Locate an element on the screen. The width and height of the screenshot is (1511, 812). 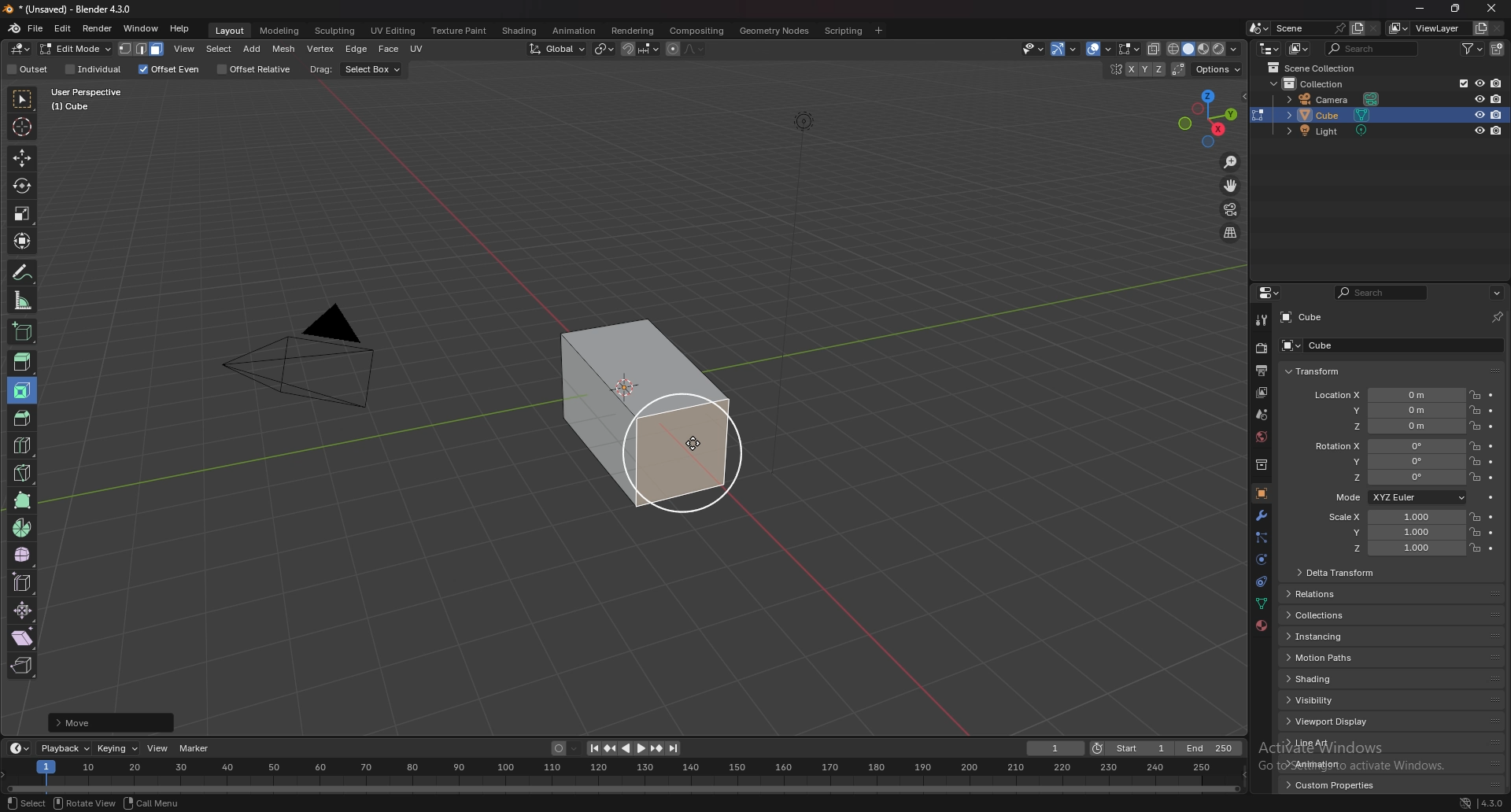
 is located at coordinates (621, 774).